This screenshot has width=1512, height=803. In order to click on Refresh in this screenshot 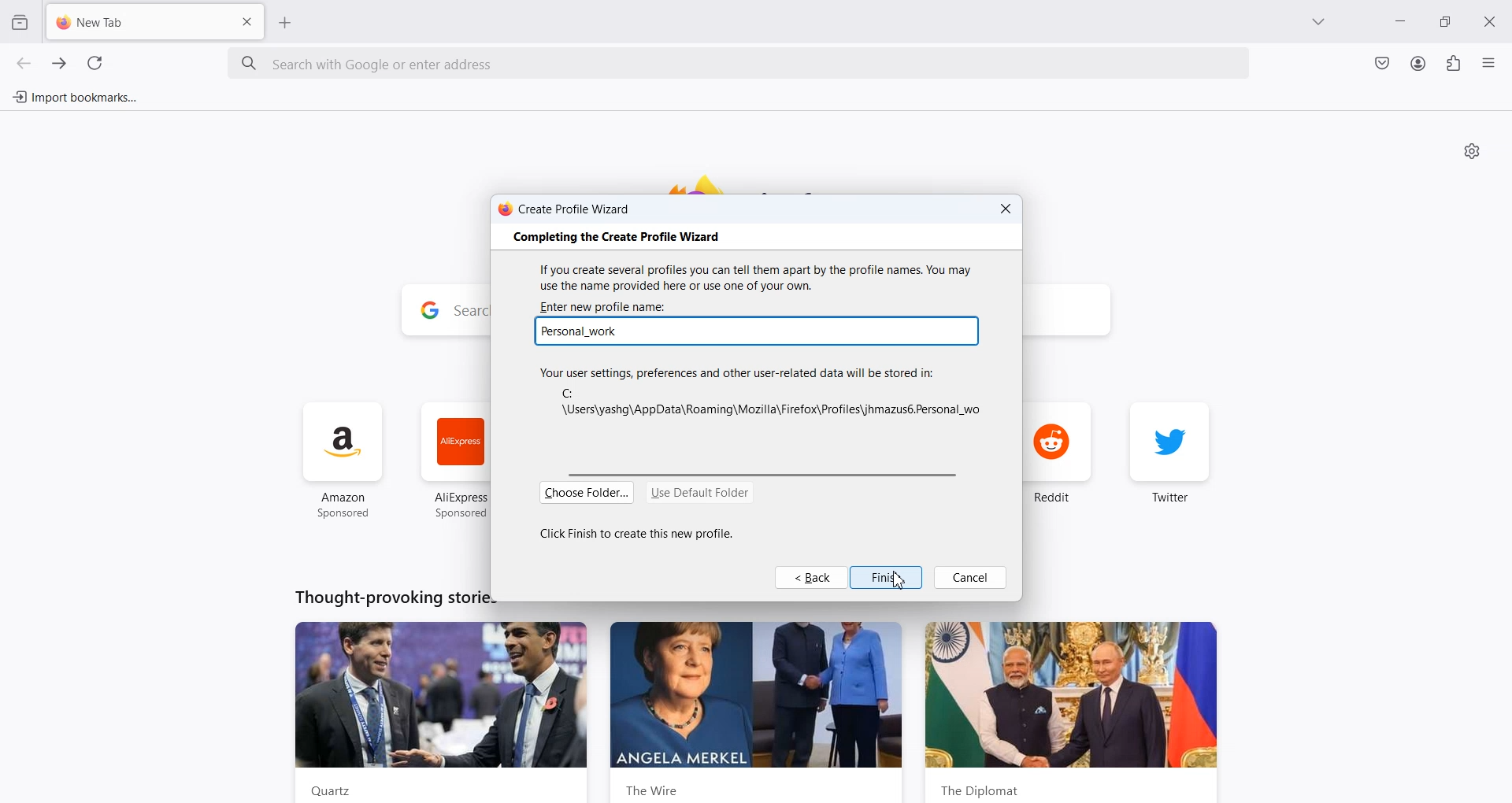, I will do `click(94, 64)`.